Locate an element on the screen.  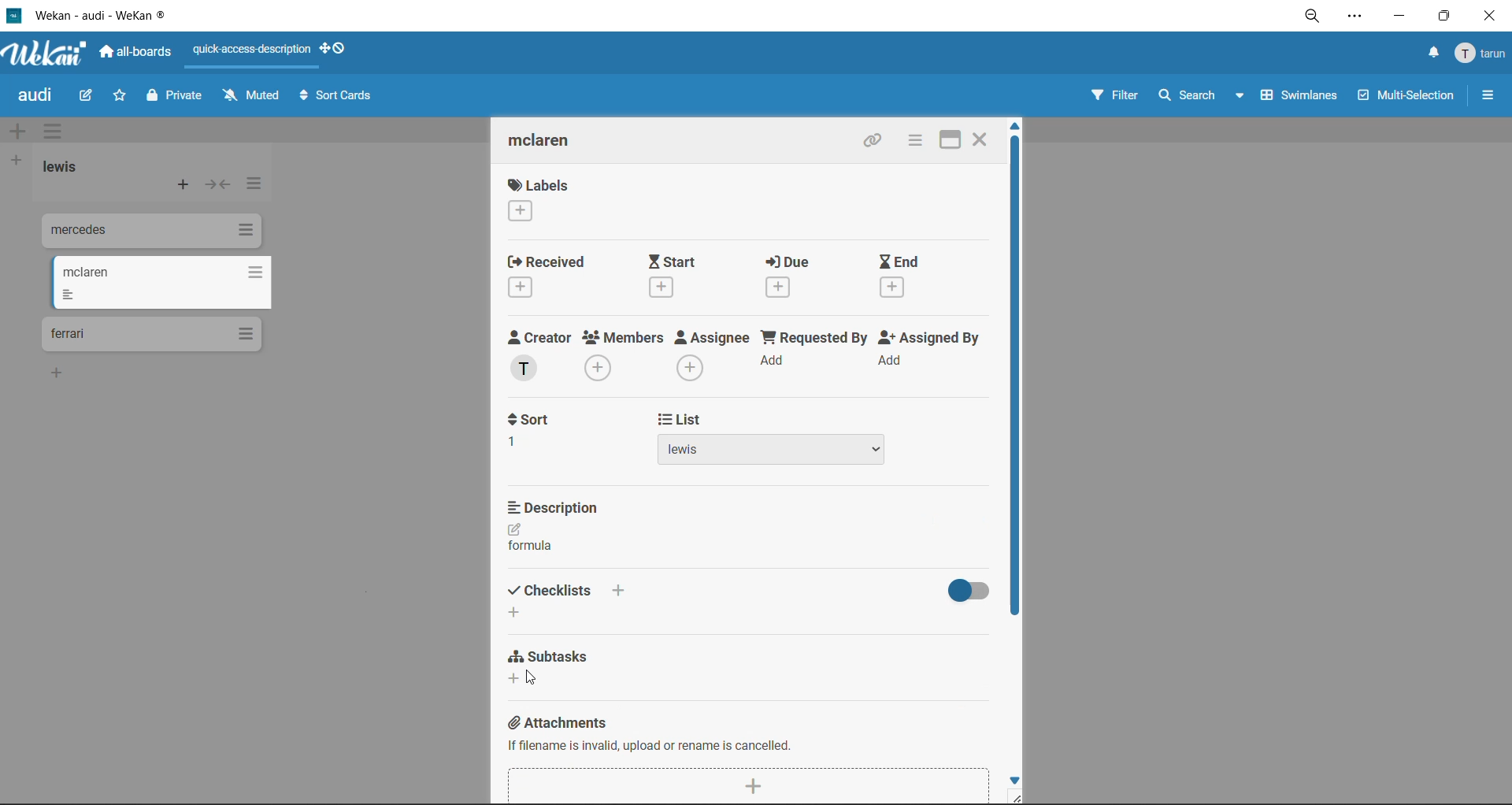
markdown is located at coordinates (933, 522).